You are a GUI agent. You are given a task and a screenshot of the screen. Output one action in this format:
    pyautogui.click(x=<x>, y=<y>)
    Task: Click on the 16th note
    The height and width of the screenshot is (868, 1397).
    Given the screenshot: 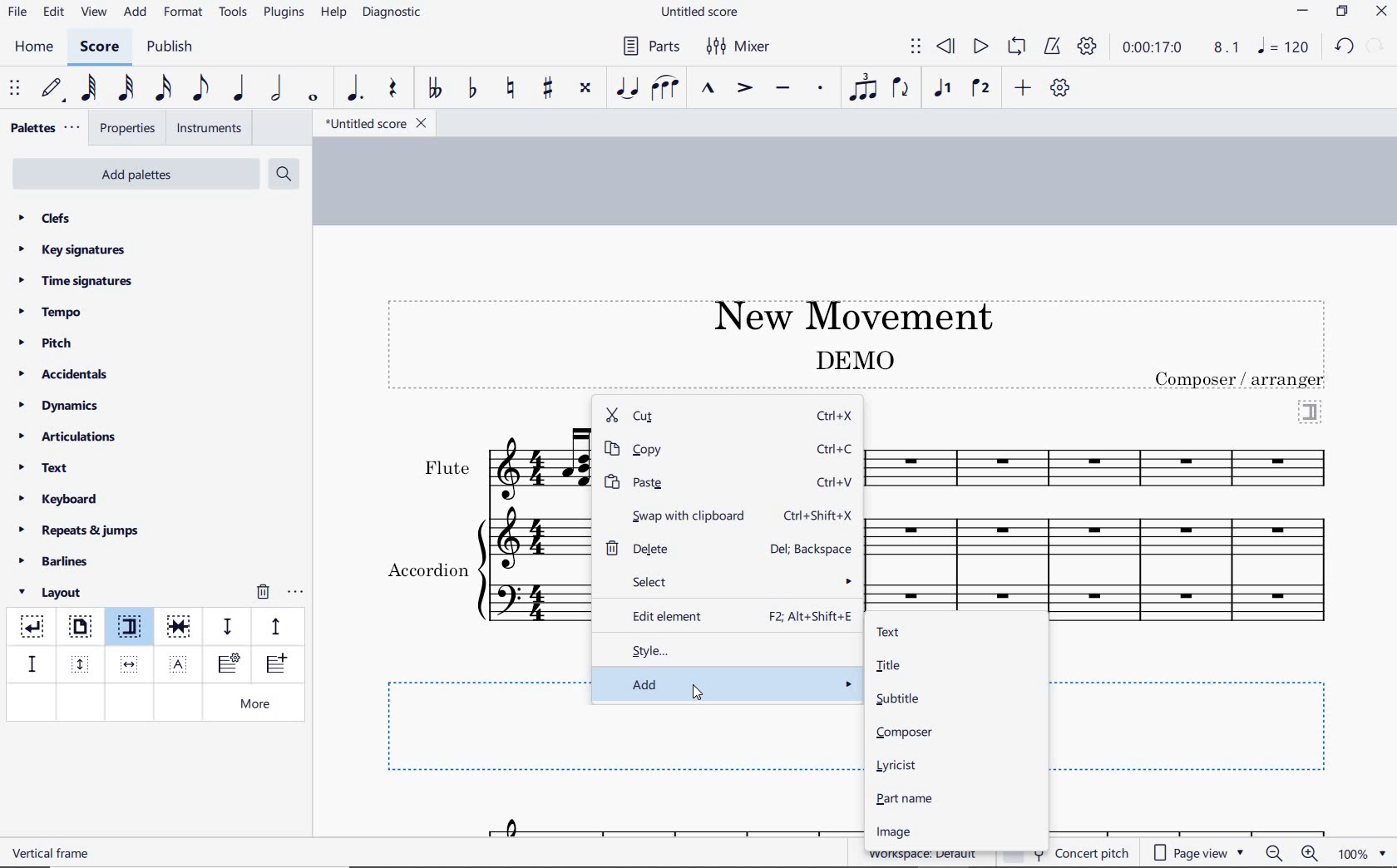 What is the action you would take?
    pyautogui.click(x=164, y=89)
    